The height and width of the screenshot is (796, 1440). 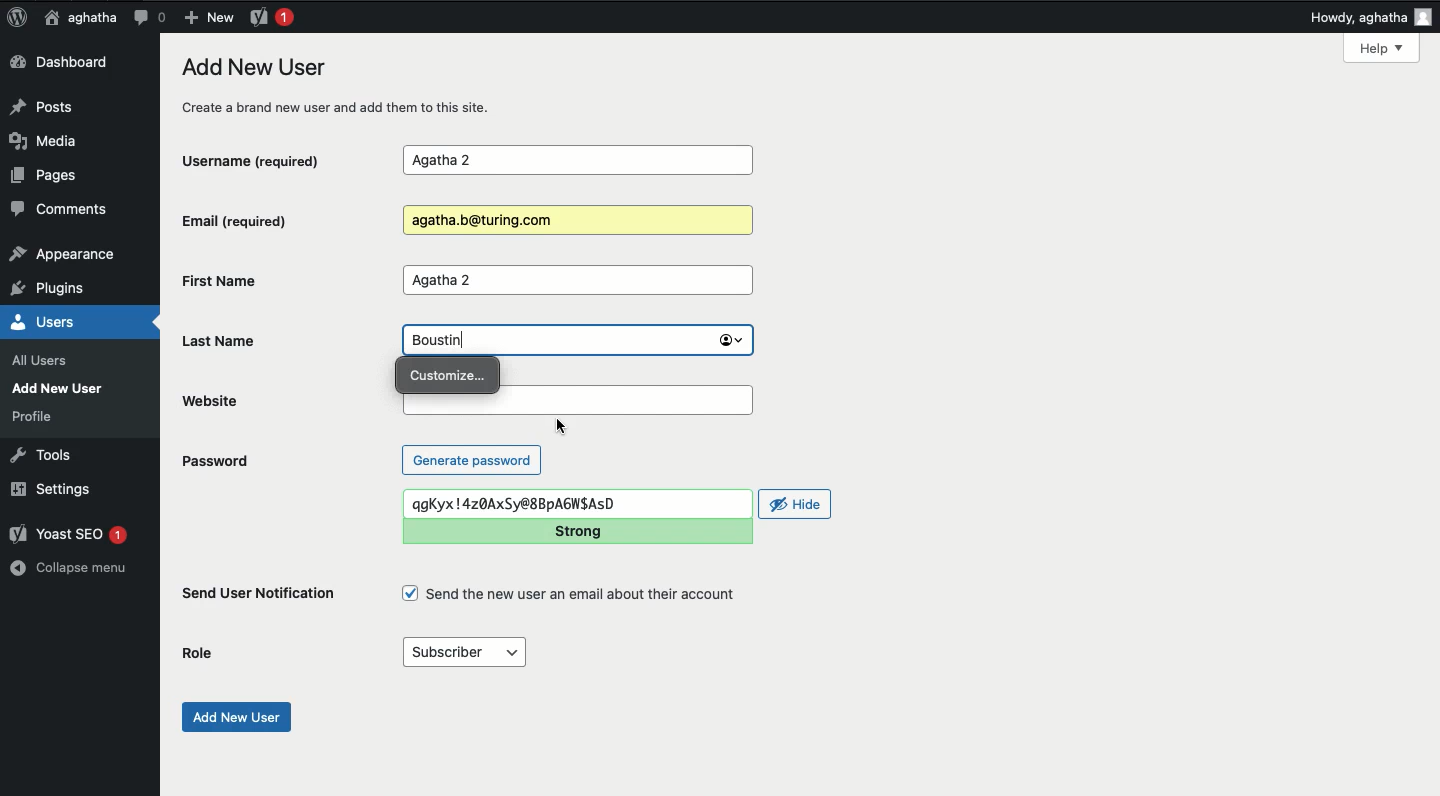 What do you see at coordinates (64, 322) in the screenshot?
I see `Users` at bounding box center [64, 322].